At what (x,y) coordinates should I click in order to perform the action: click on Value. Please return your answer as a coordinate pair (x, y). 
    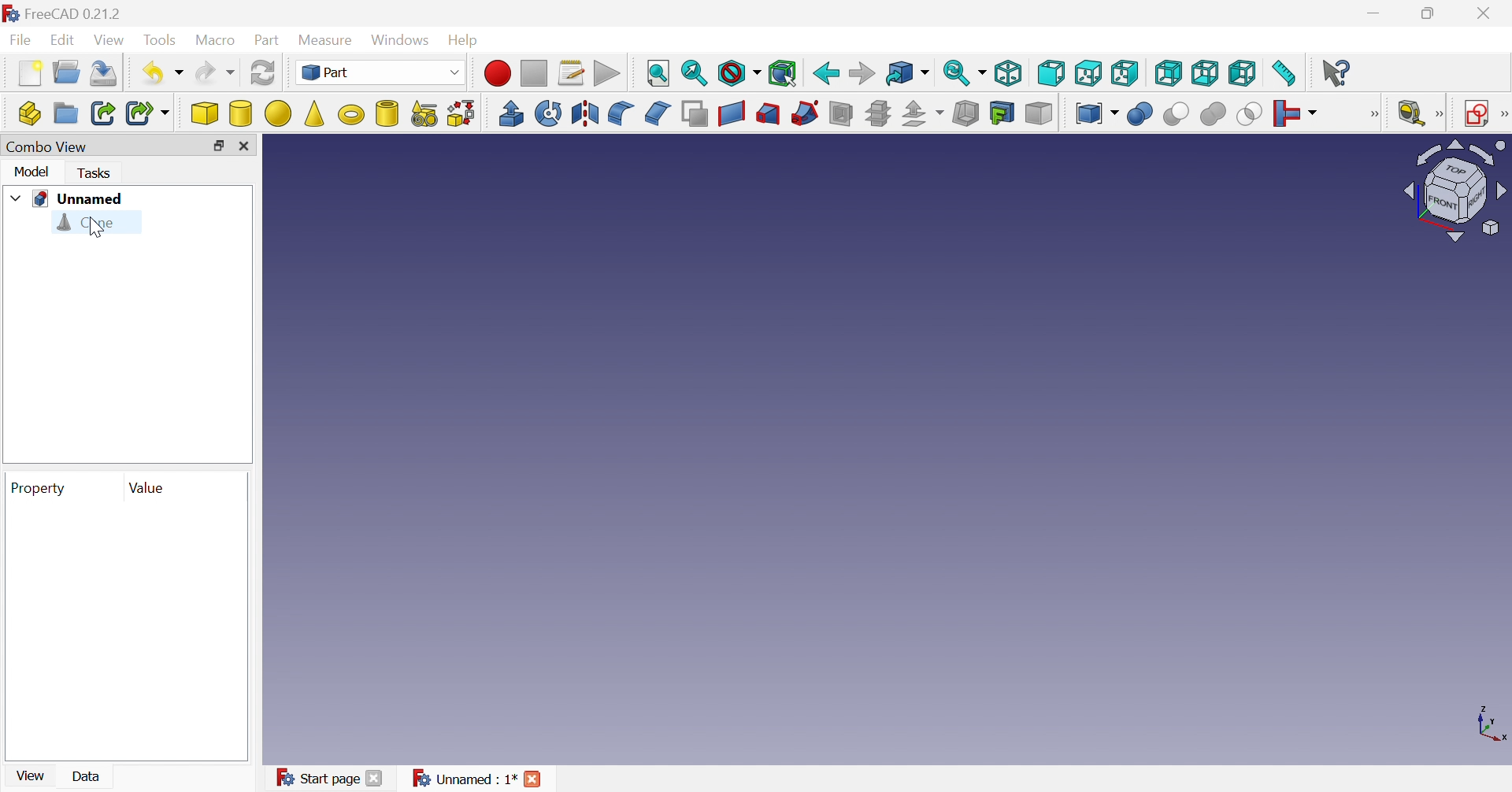
    Looking at the image, I should click on (154, 490).